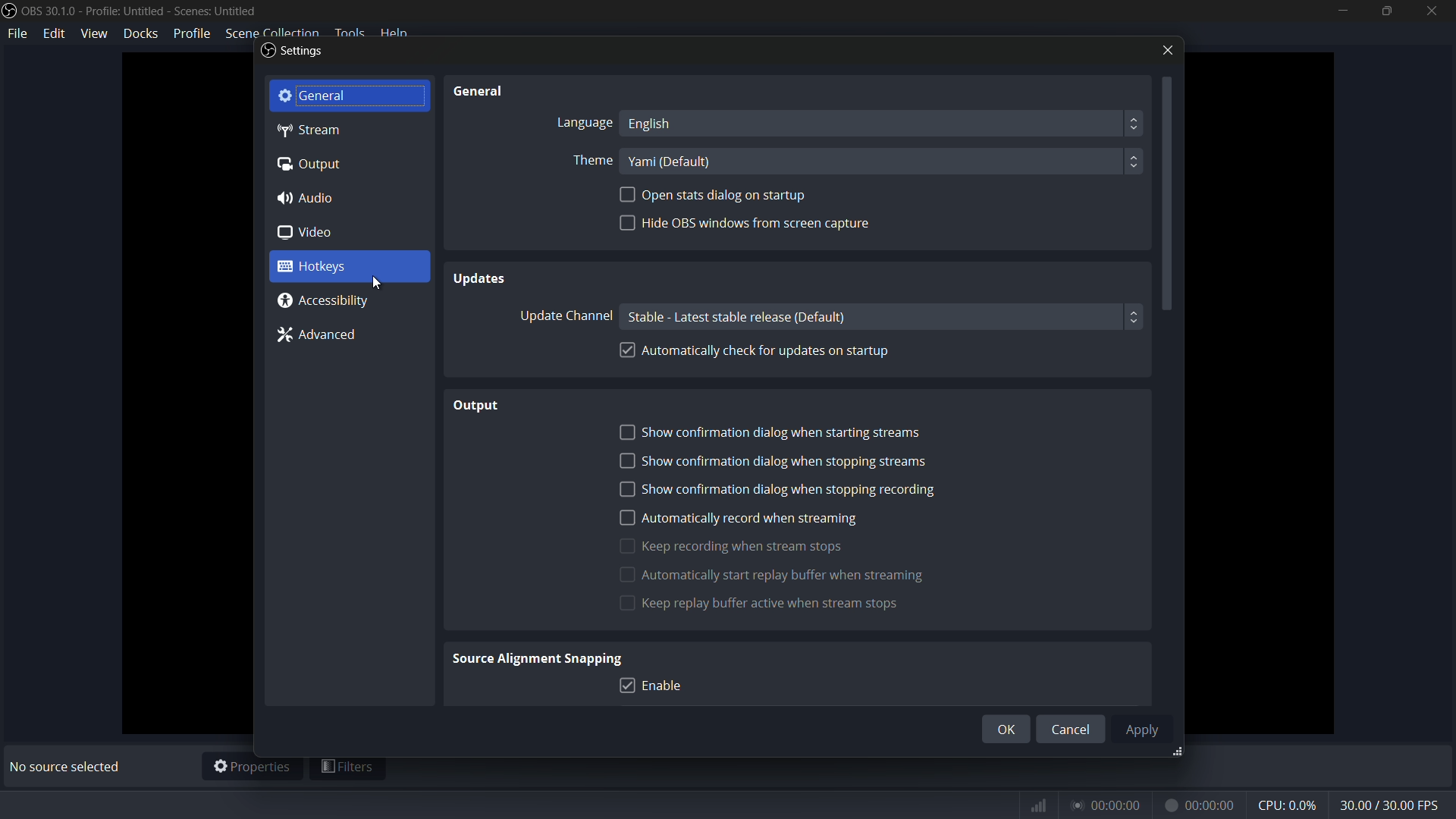 The width and height of the screenshot is (1456, 819). What do you see at coordinates (18, 34) in the screenshot?
I see `file menu` at bounding box center [18, 34].